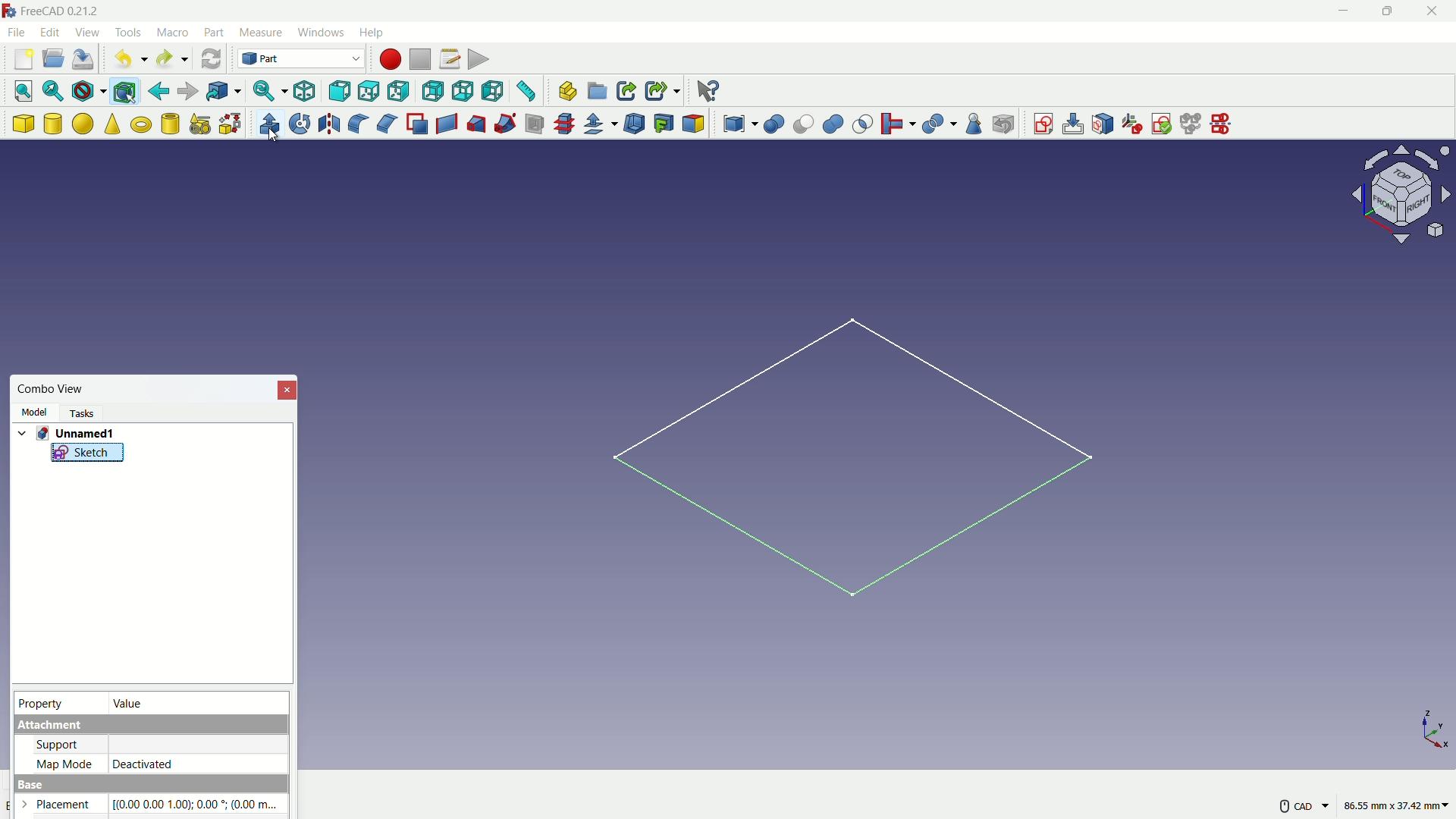  Describe the element at coordinates (1423, 727) in the screenshot. I see `X,Y and Z axis` at that location.